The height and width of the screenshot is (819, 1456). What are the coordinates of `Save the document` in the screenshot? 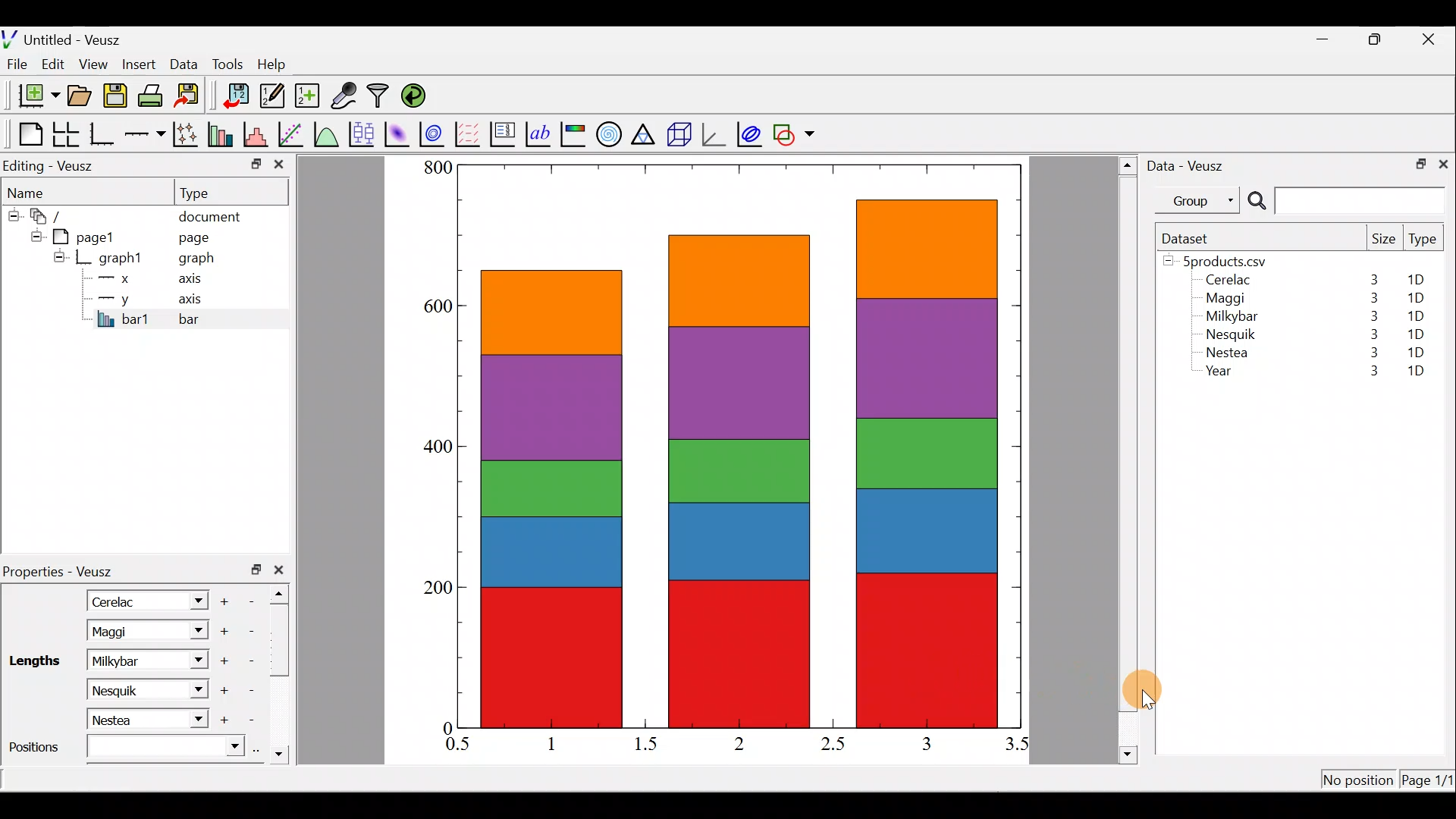 It's located at (117, 99).